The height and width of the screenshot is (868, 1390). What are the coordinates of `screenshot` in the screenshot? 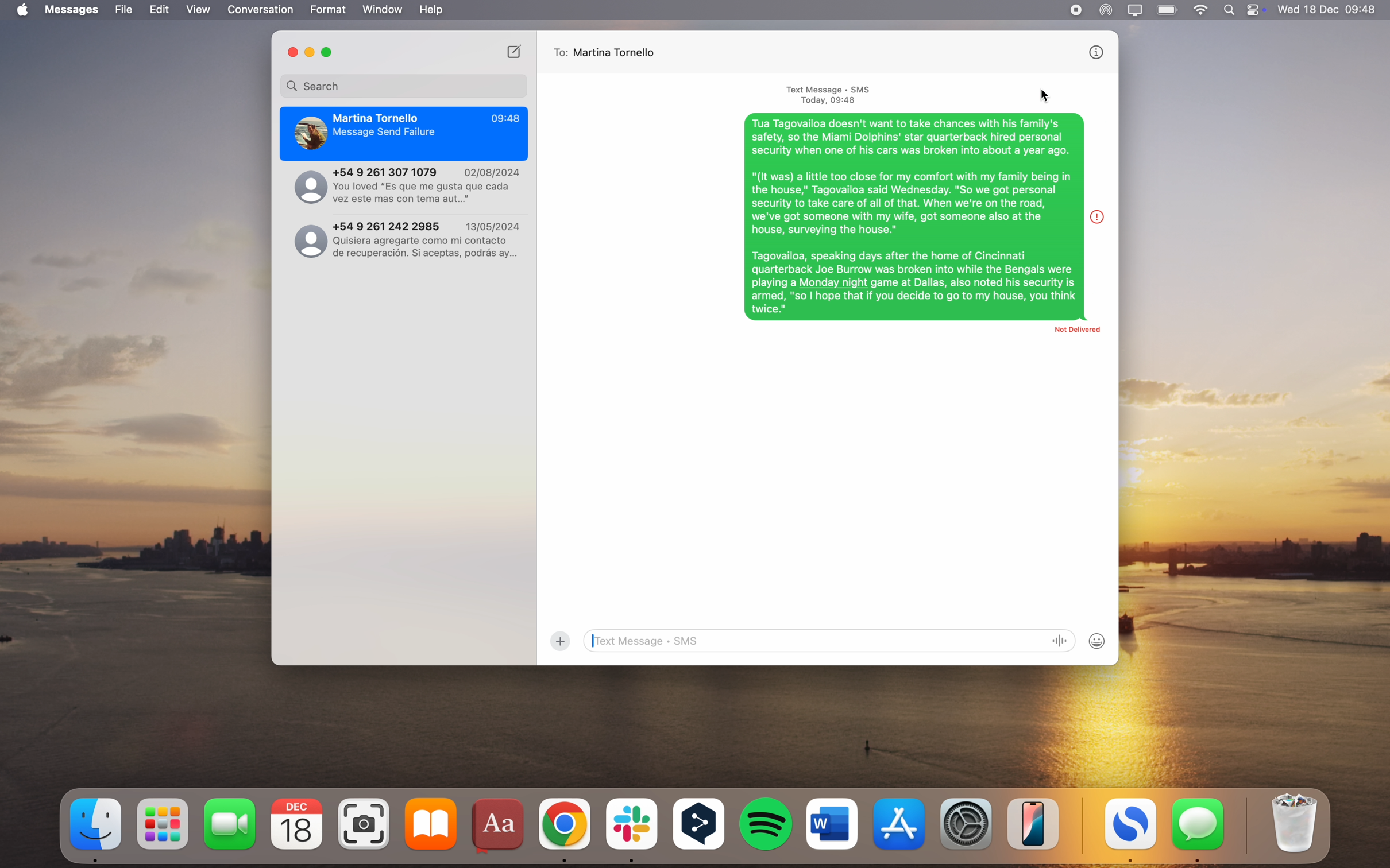 It's located at (366, 824).